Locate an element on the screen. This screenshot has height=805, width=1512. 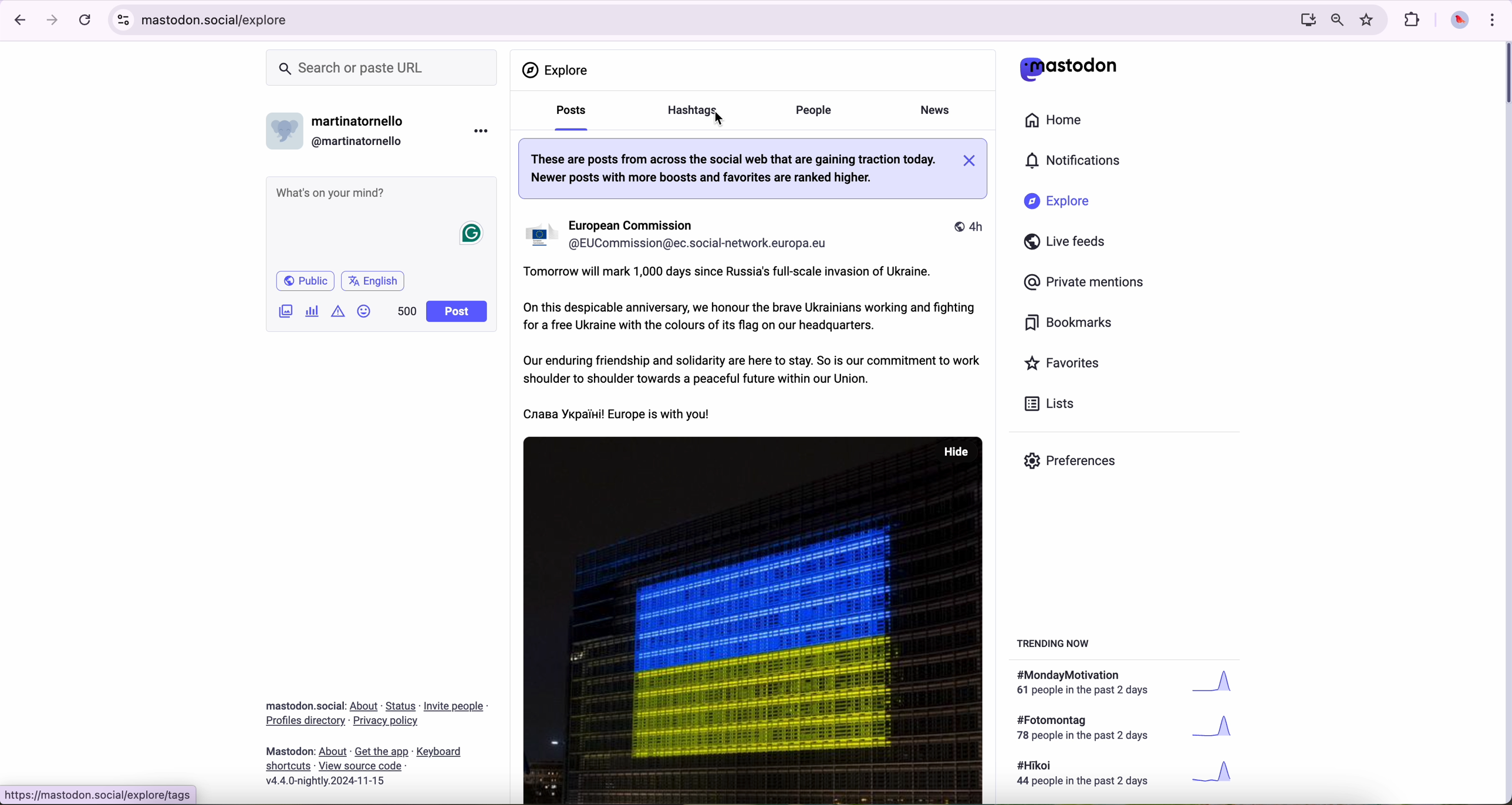
navigate foward is located at coordinates (54, 21).